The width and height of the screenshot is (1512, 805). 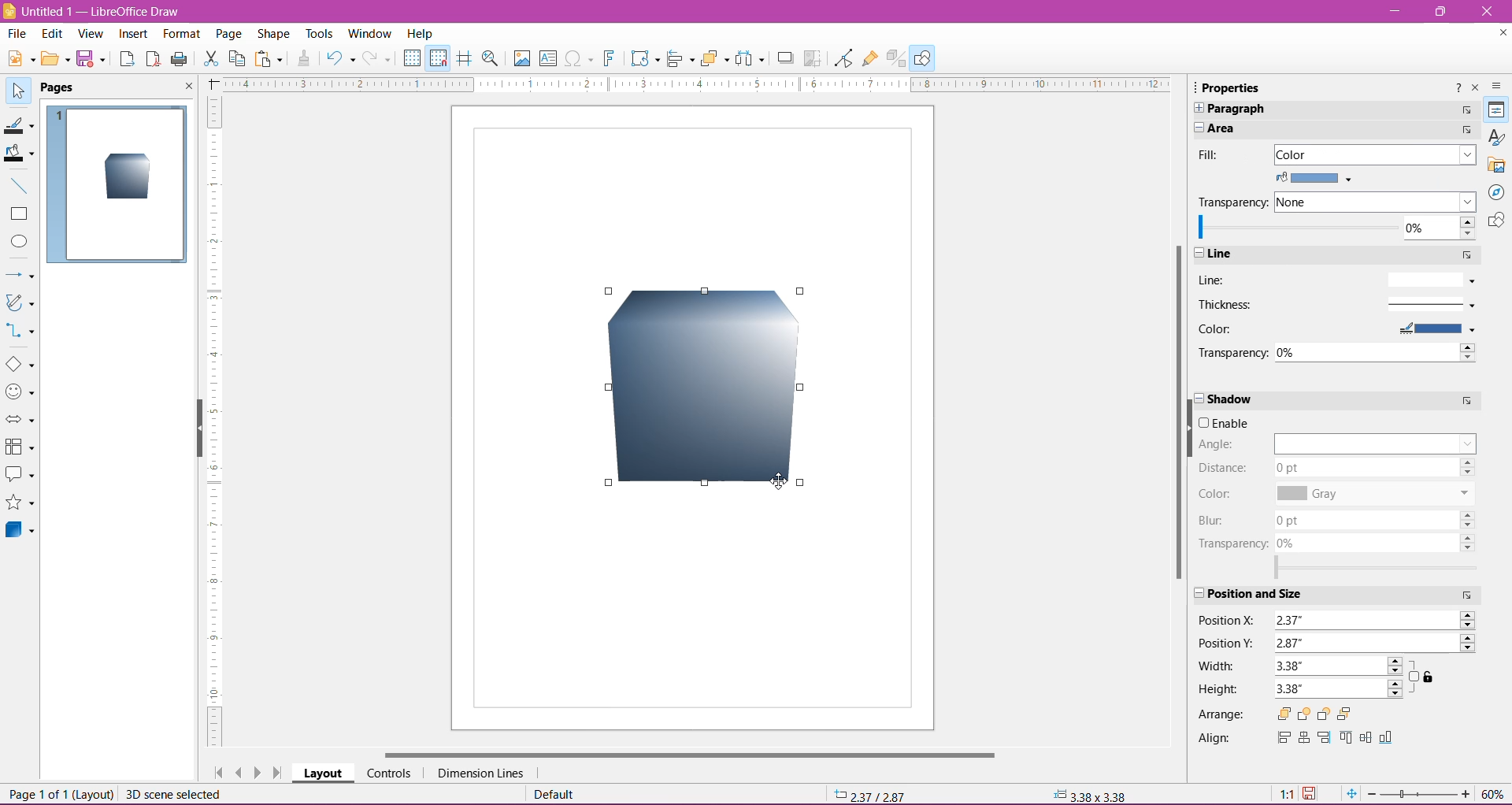 What do you see at coordinates (19, 214) in the screenshot?
I see `Rectangle` at bounding box center [19, 214].